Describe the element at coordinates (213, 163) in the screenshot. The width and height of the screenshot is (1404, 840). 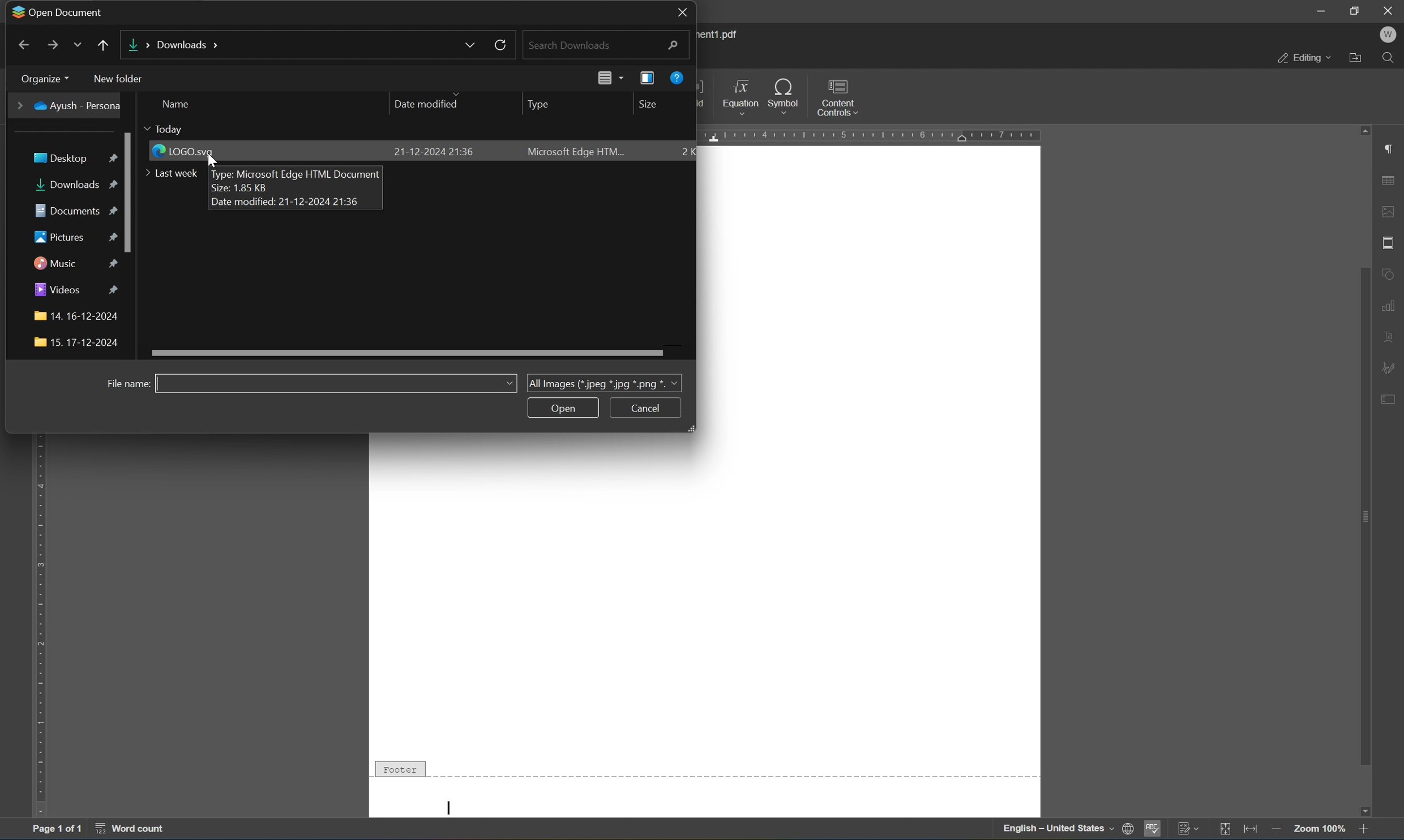
I see `cursor` at that location.